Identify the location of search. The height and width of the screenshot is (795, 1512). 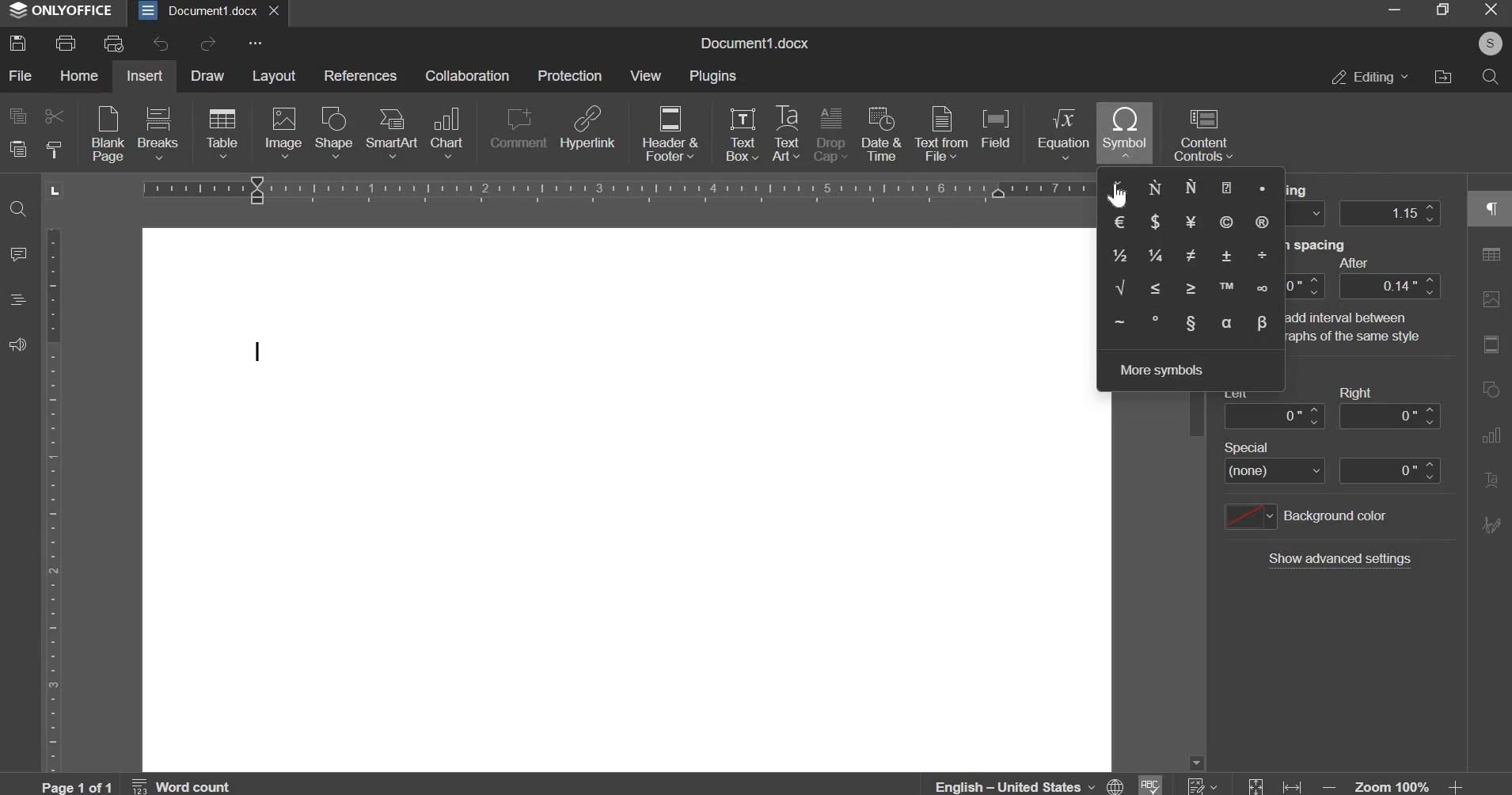
(1491, 77).